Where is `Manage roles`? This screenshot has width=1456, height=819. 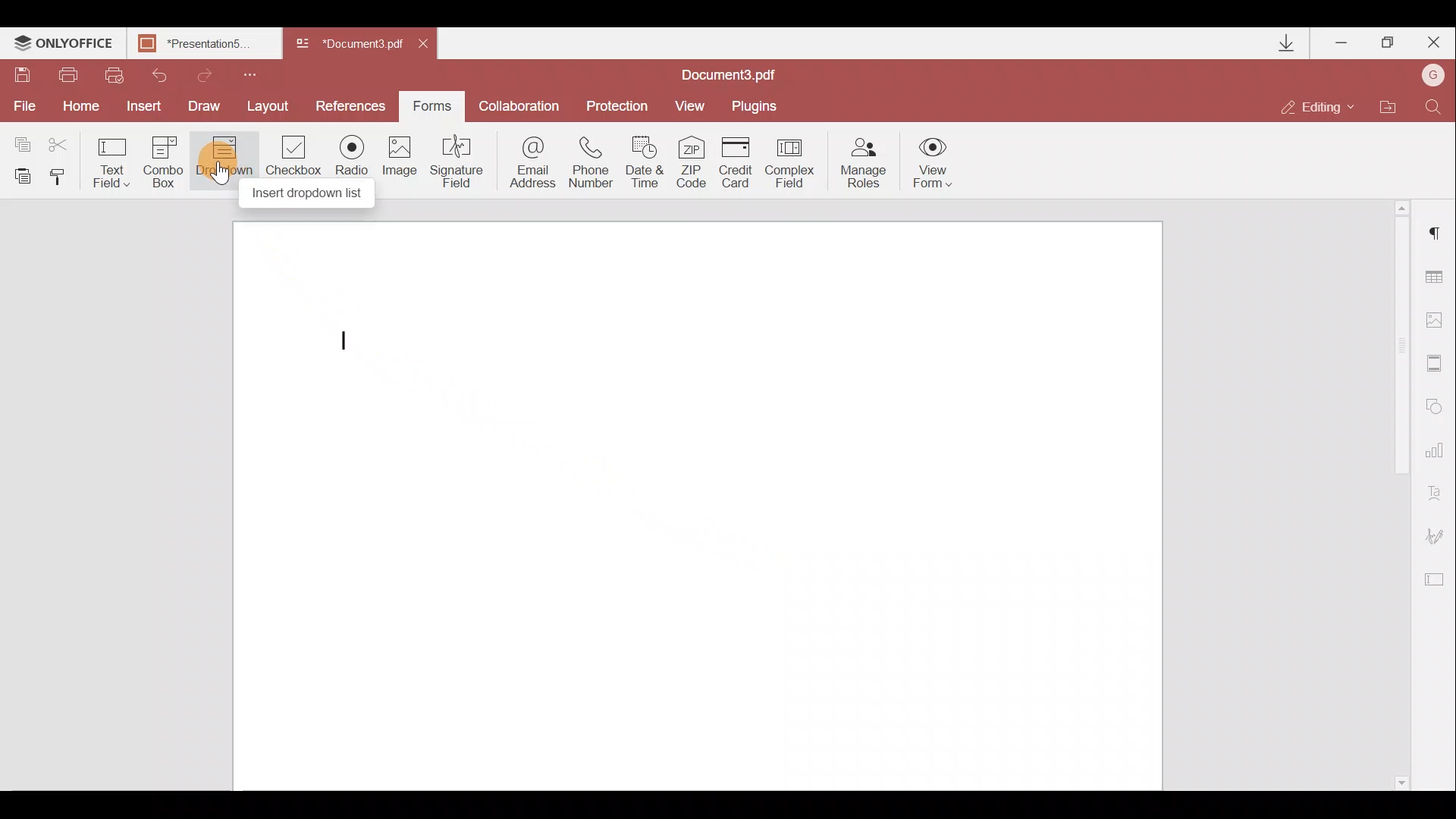 Manage roles is located at coordinates (864, 163).